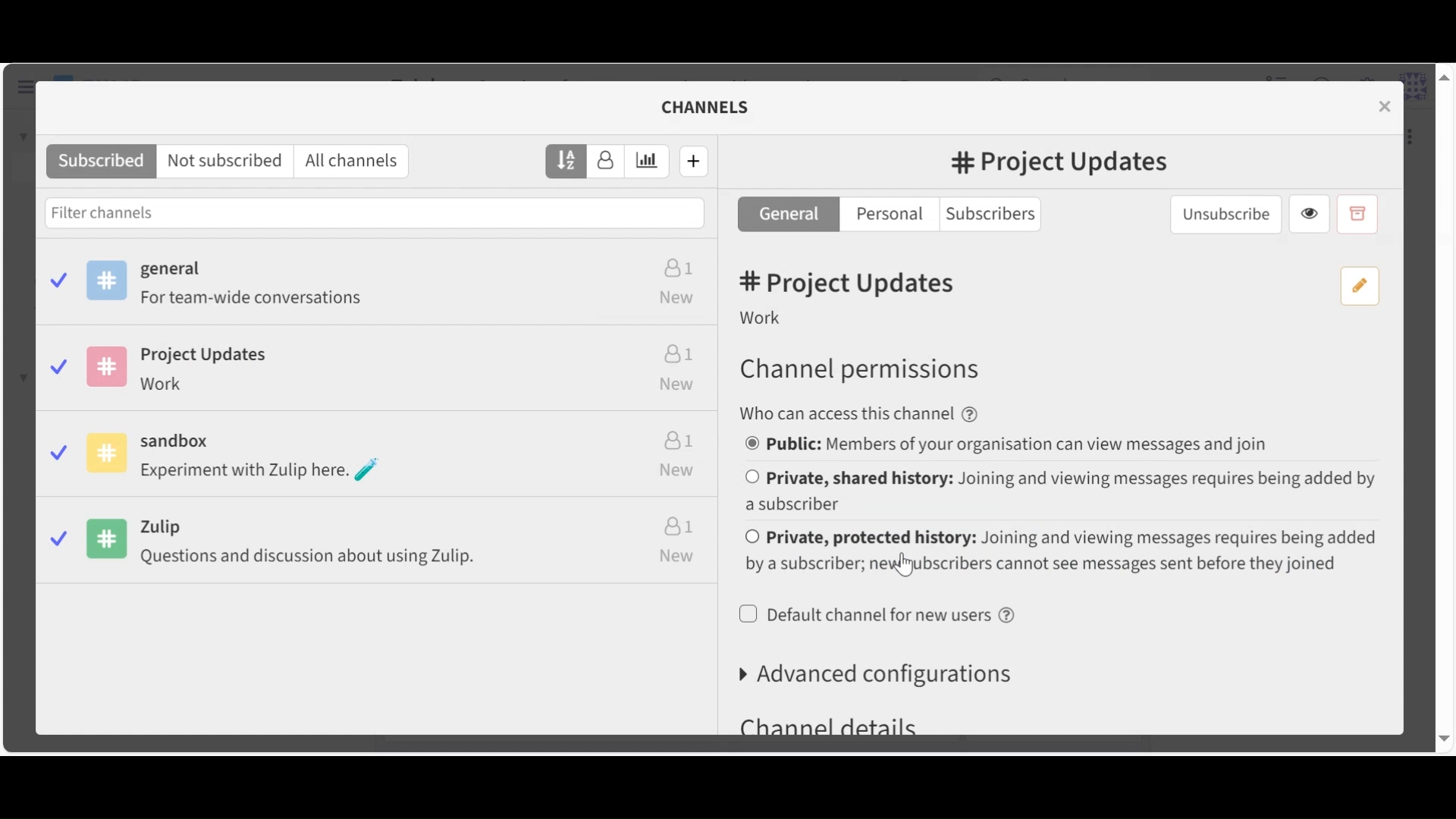 The image size is (1456, 819). Describe the element at coordinates (361, 162) in the screenshot. I see `All channels` at that location.